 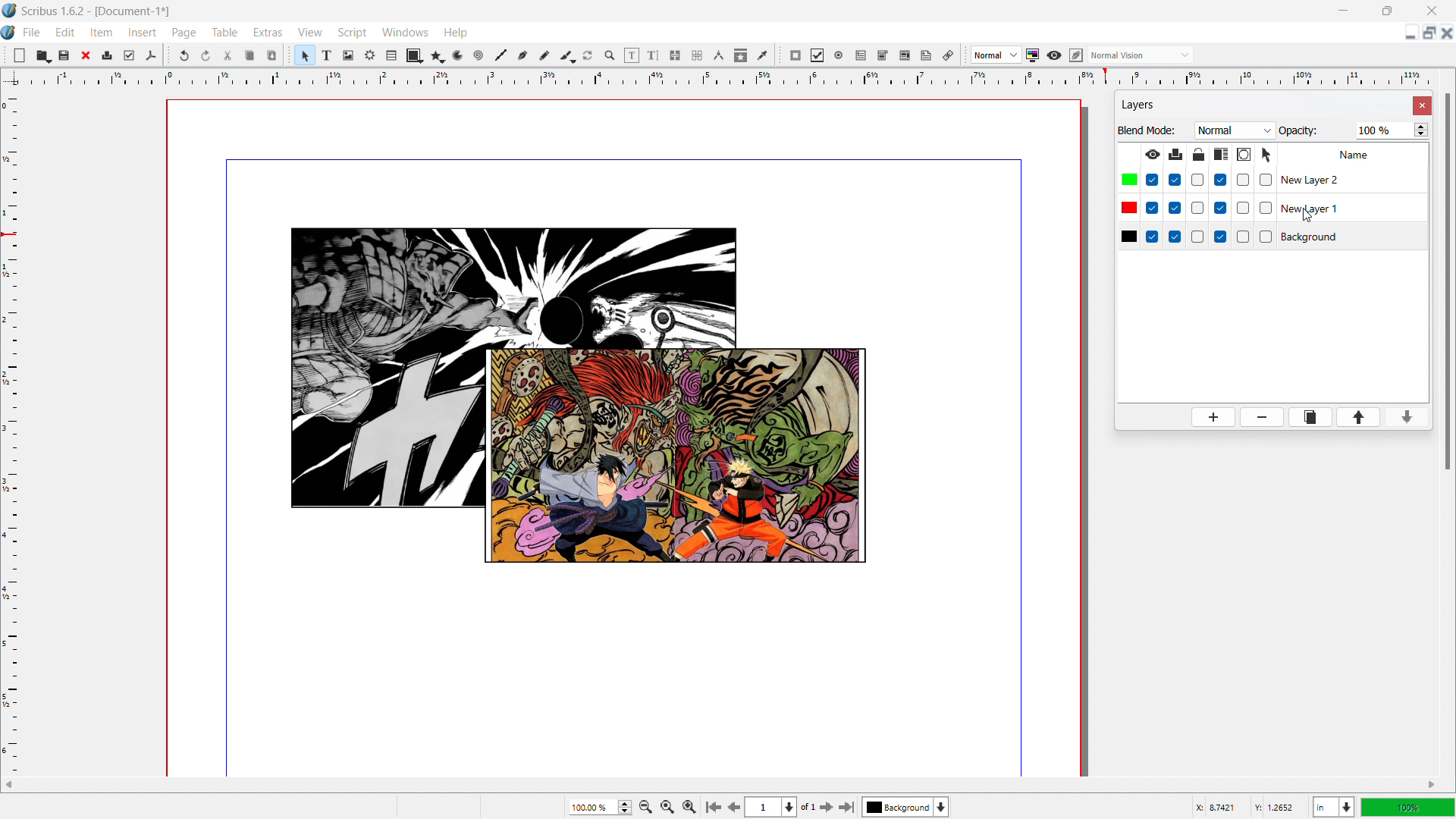 What do you see at coordinates (455, 33) in the screenshot?
I see `help` at bounding box center [455, 33].